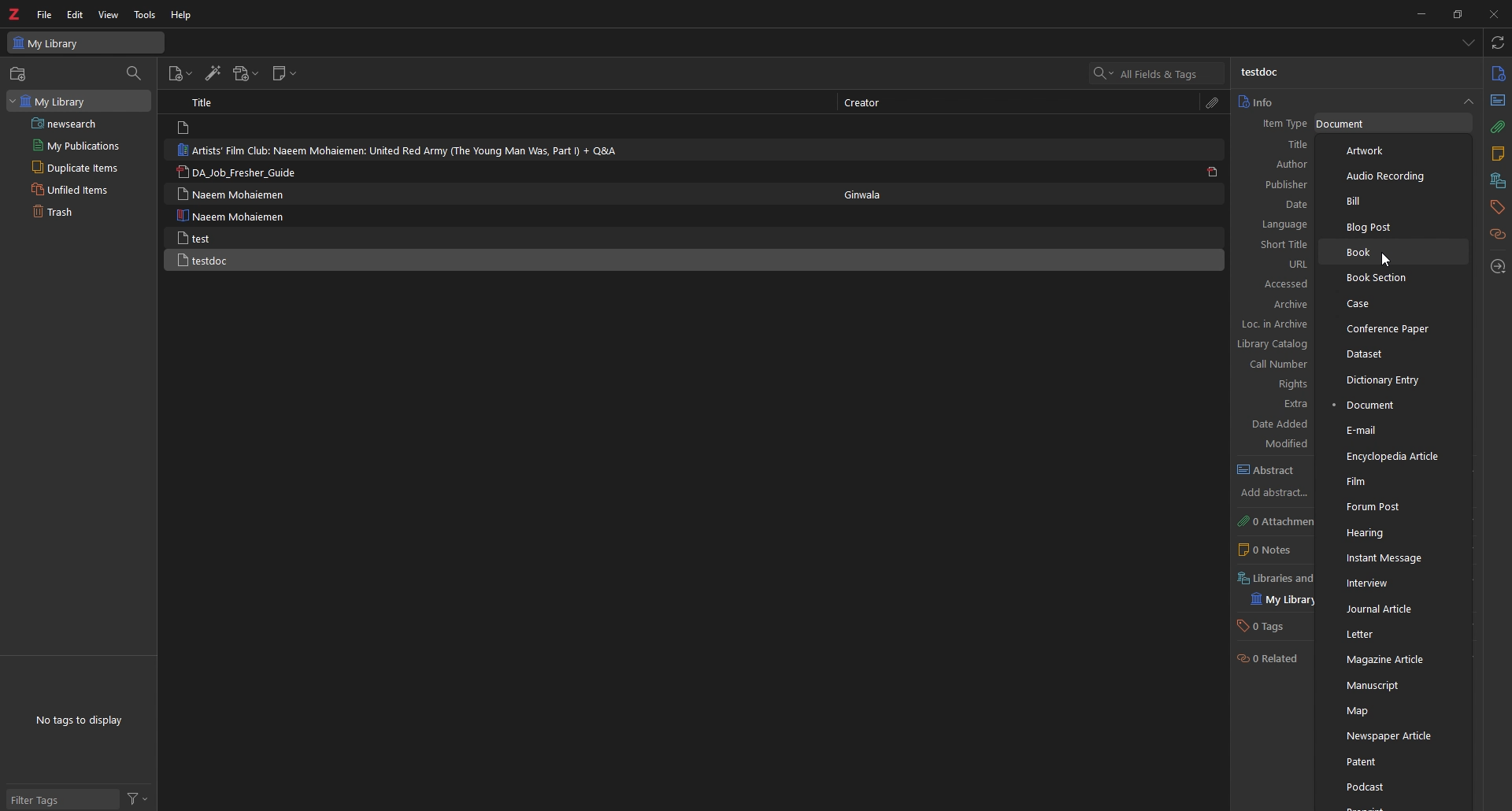 Image resolution: width=1512 pixels, height=811 pixels. Describe the element at coordinates (82, 146) in the screenshot. I see `My Publications` at that location.